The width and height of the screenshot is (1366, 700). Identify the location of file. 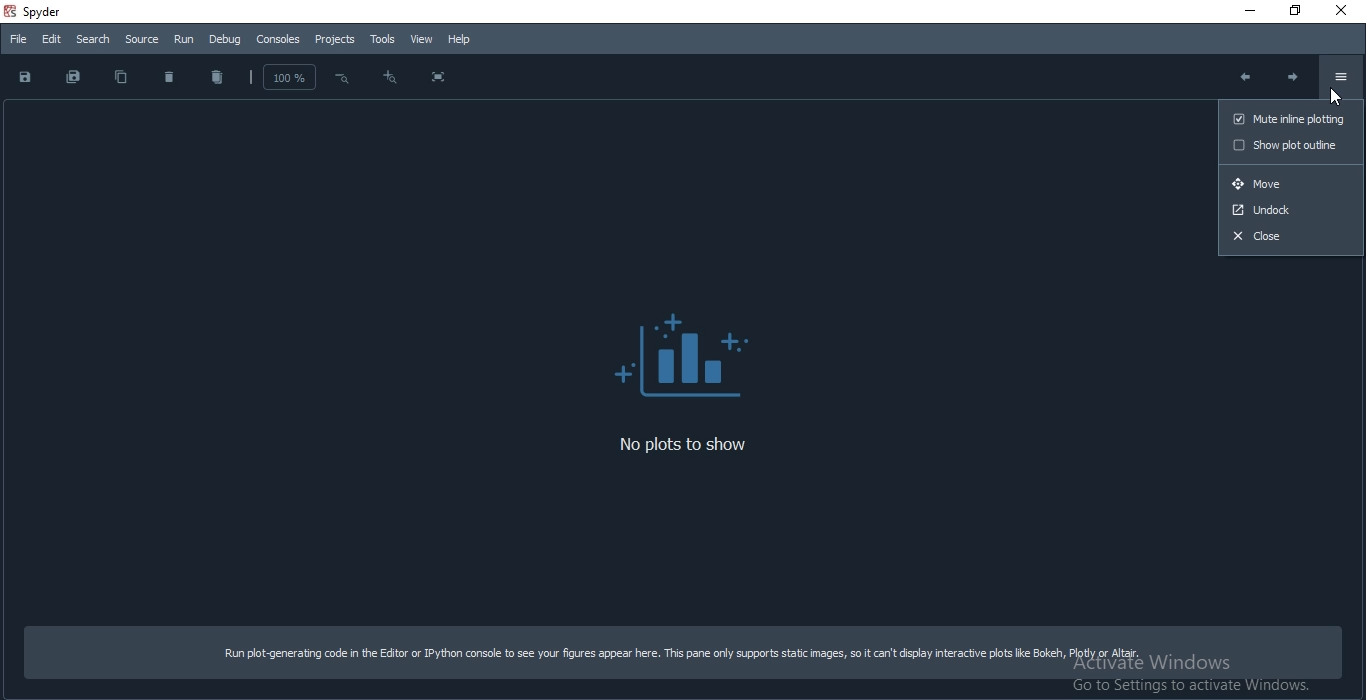
(17, 41).